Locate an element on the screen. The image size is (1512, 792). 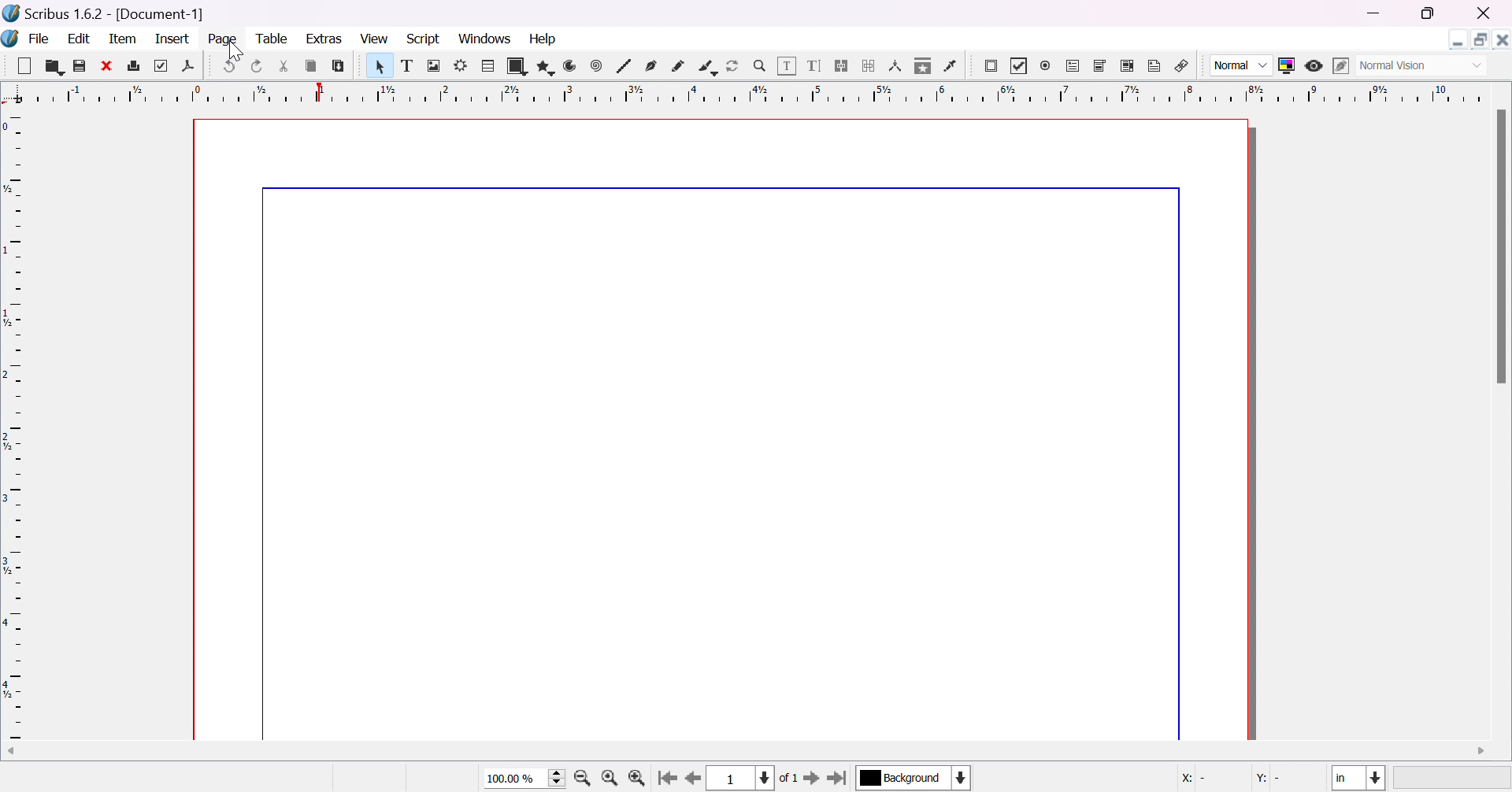
shape is located at coordinates (519, 66).